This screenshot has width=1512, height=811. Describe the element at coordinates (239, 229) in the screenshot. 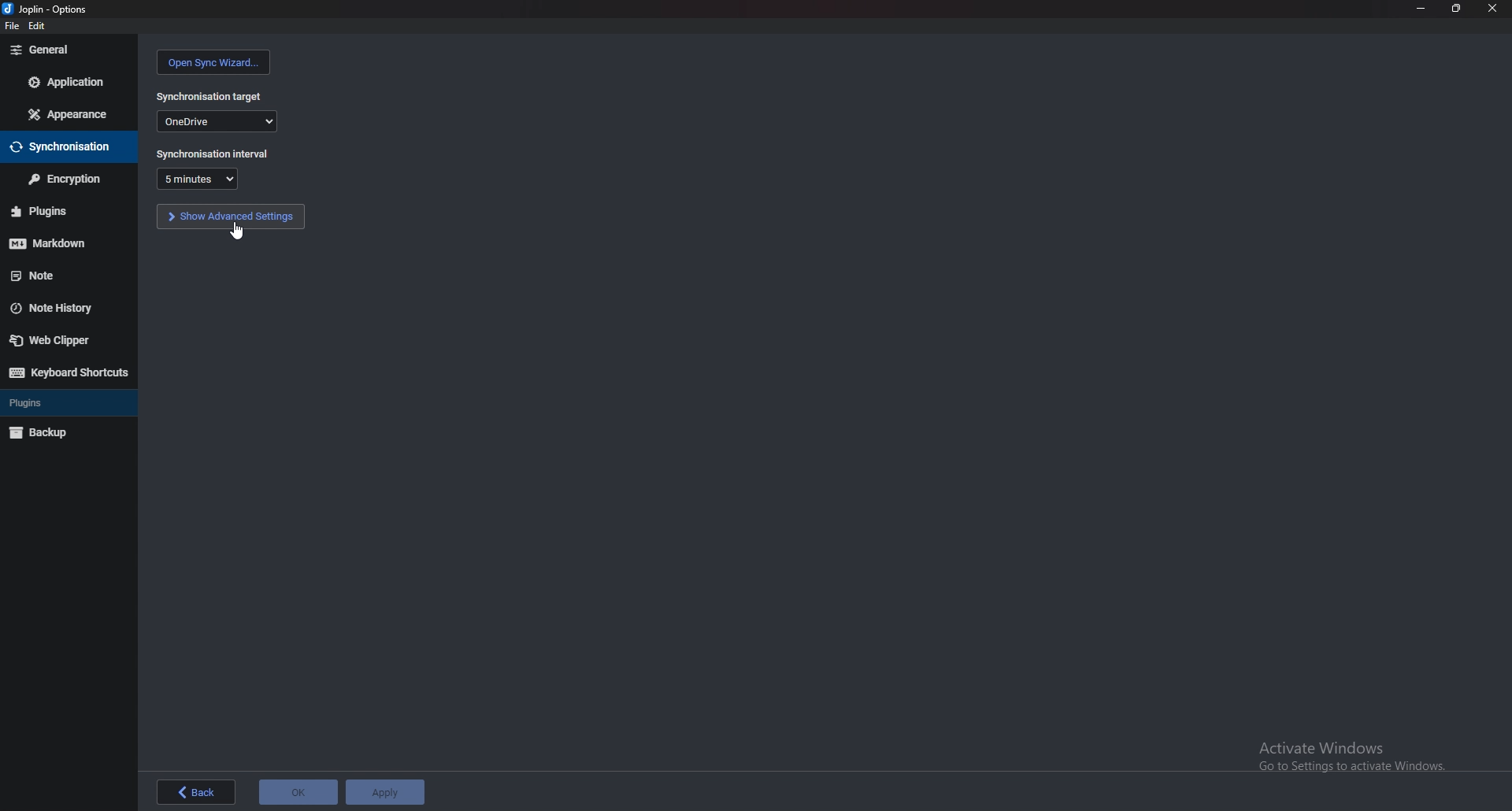

I see `cursor` at that location.